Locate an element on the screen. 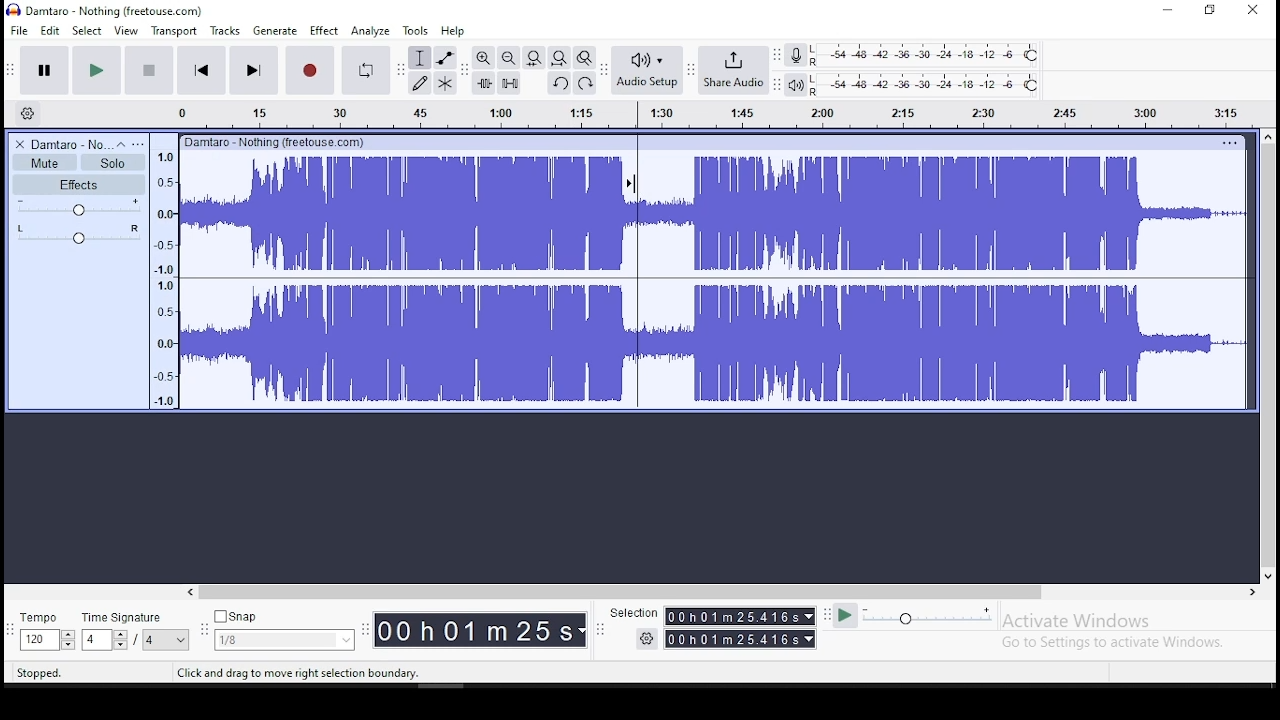 This screenshot has height=720, width=1280. fit project to width is located at coordinates (561, 59).